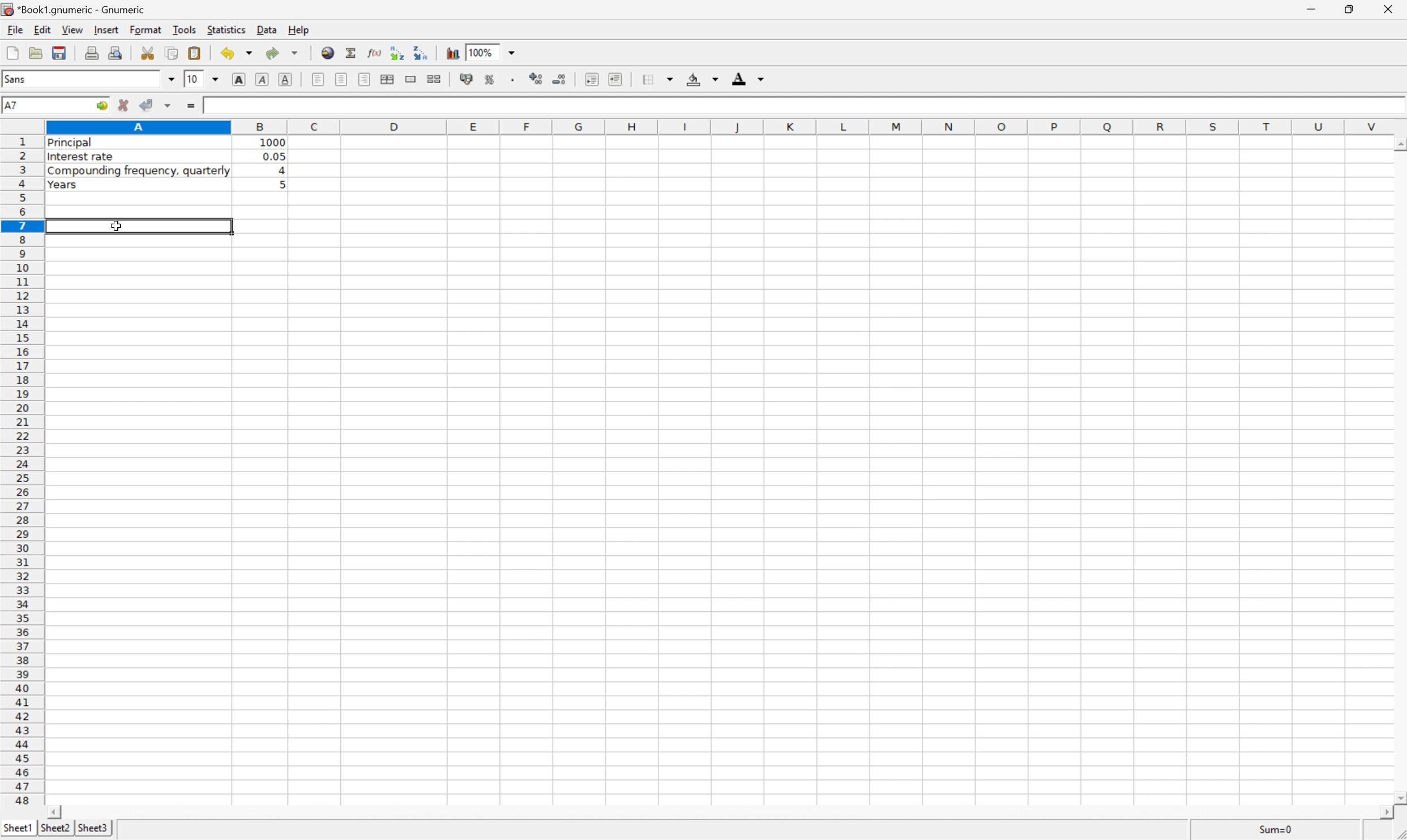 The image size is (1407, 840). What do you see at coordinates (297, 28) in the screenshot?
I see `help` at bounding box center [297, 28].